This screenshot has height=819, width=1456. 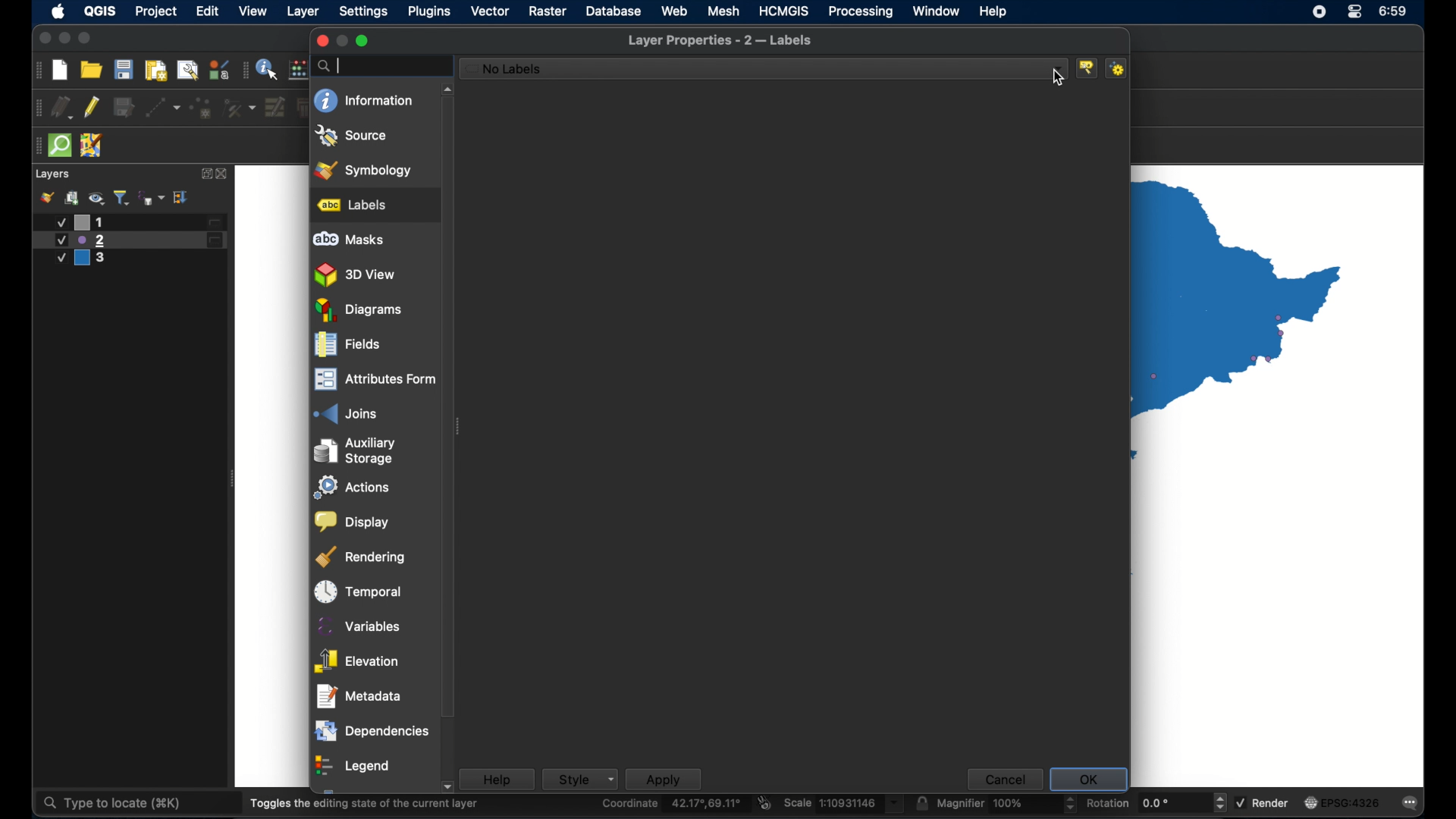 What do you see at coordinates (209, 11) in the screenshot?
I see `edit` at bounding box center [209, 11].